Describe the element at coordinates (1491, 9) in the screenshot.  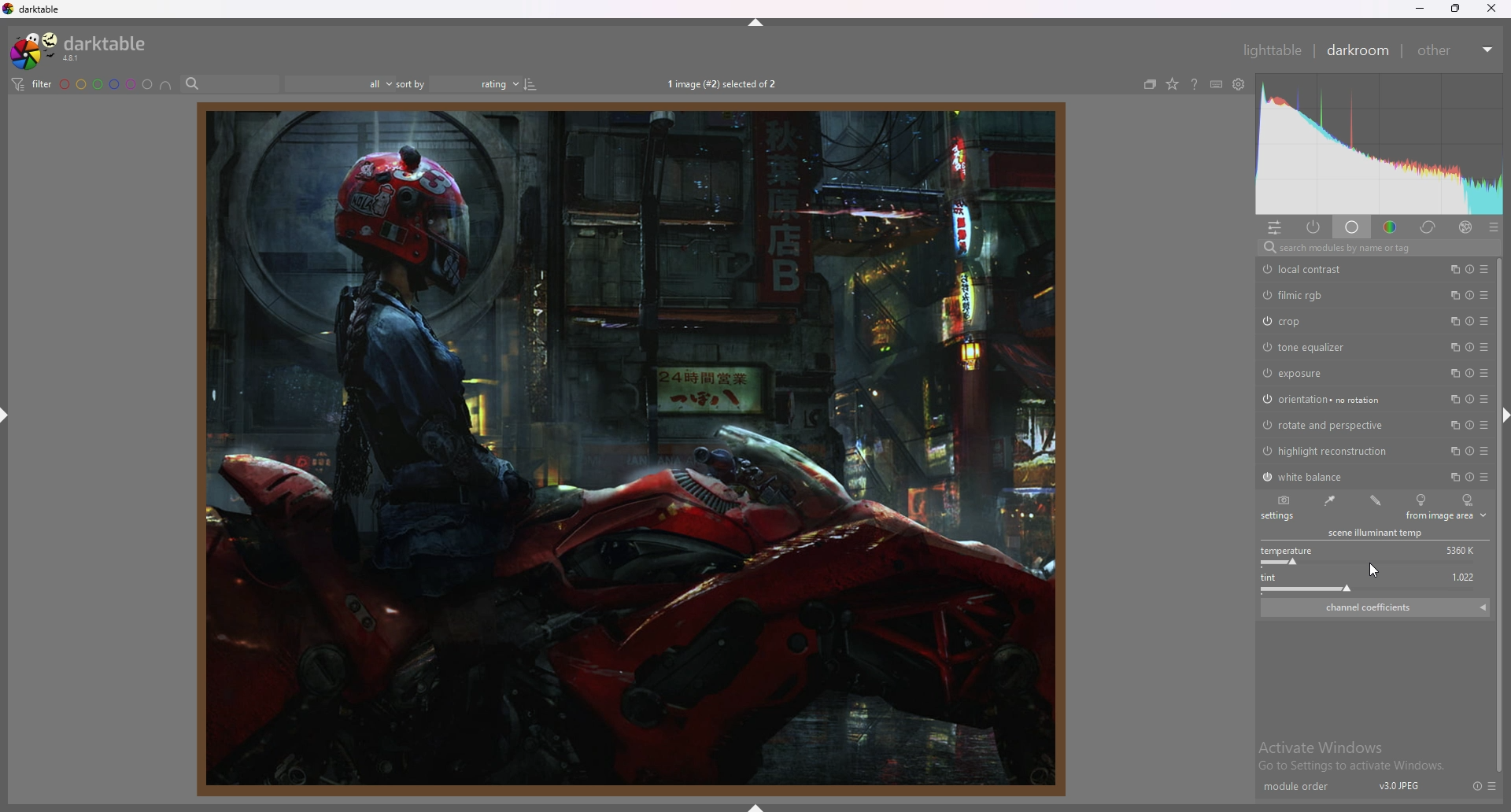
I see `close` at that location.